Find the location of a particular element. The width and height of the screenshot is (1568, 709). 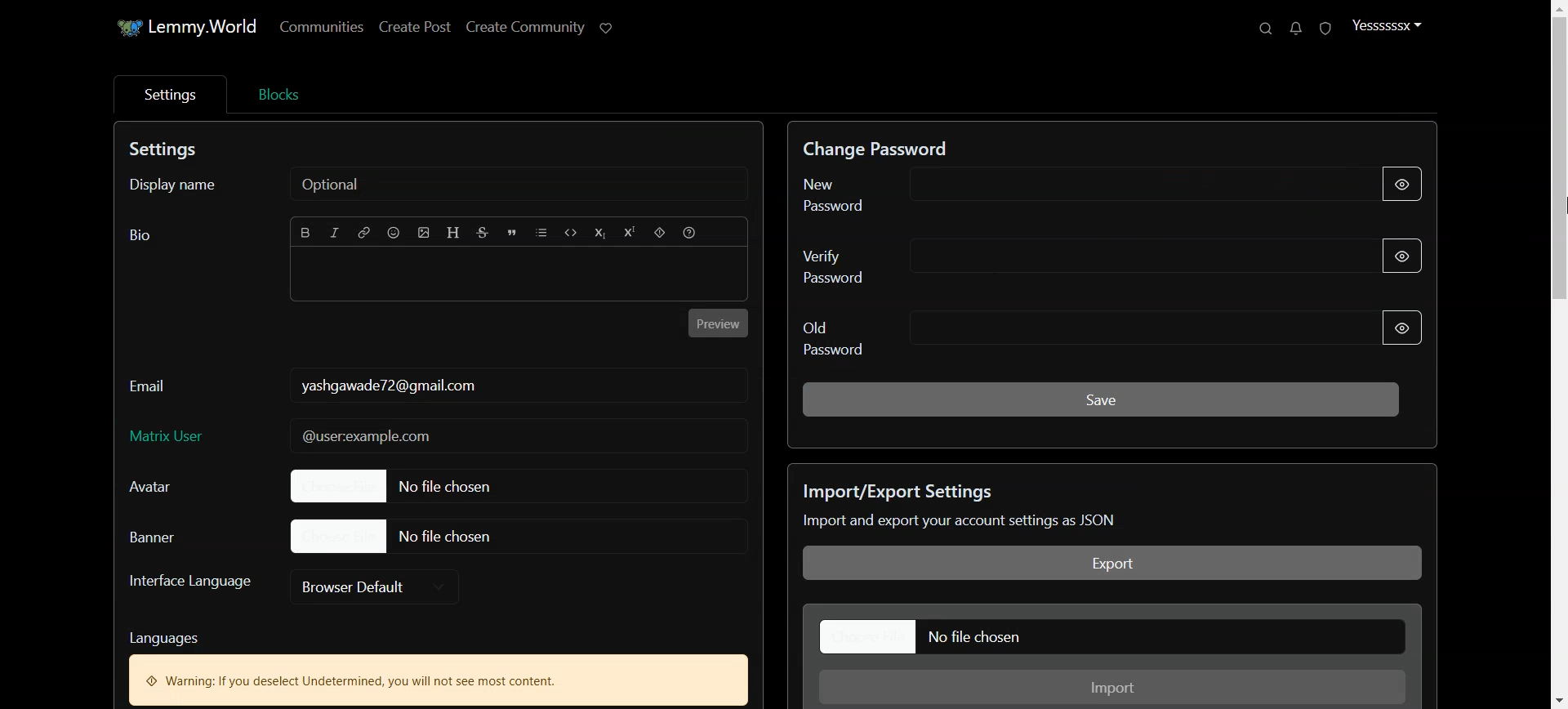

Bold is located at coordinates (305, 233).